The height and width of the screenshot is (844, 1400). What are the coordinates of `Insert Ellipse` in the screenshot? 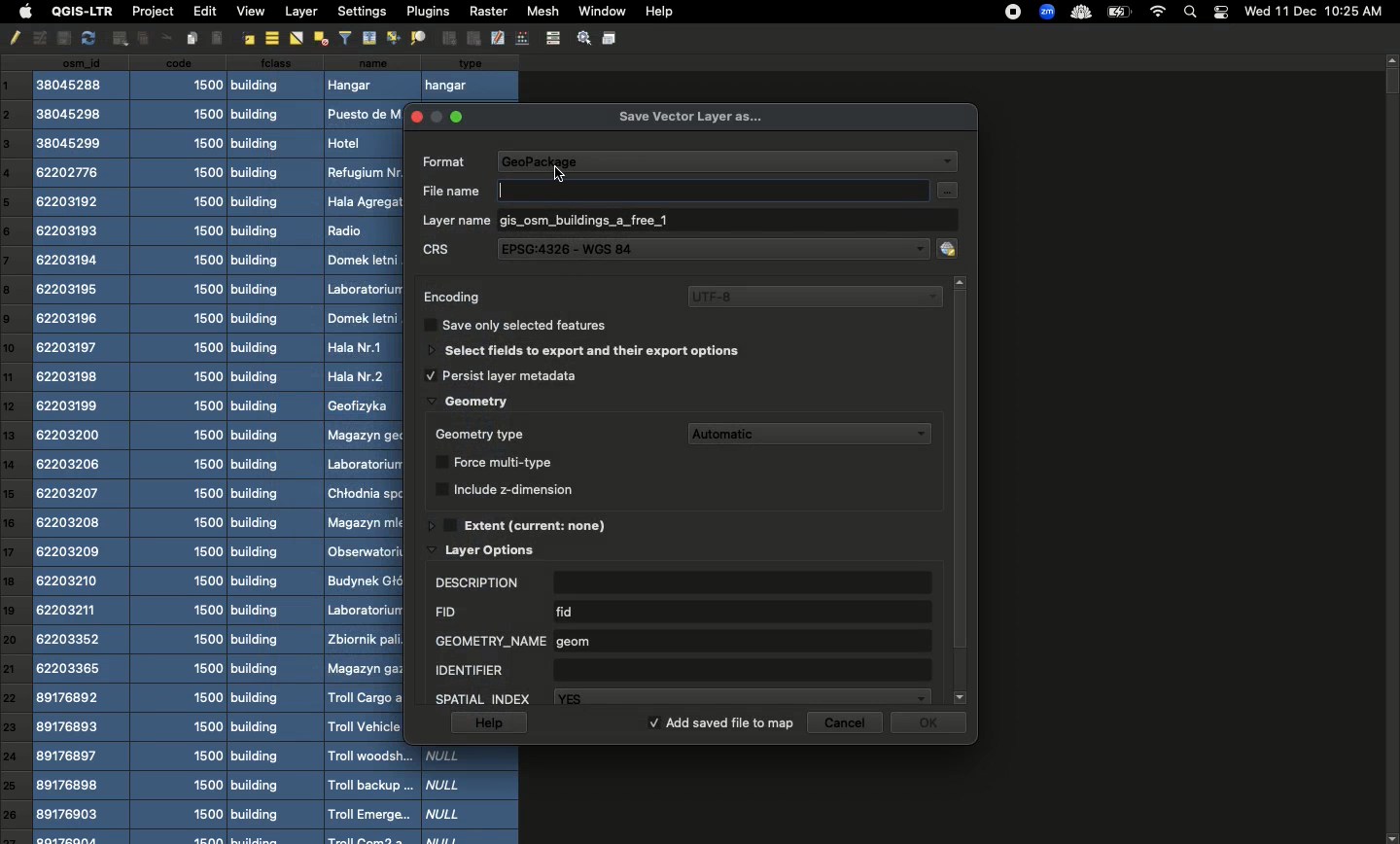 It's located at (118, 38).